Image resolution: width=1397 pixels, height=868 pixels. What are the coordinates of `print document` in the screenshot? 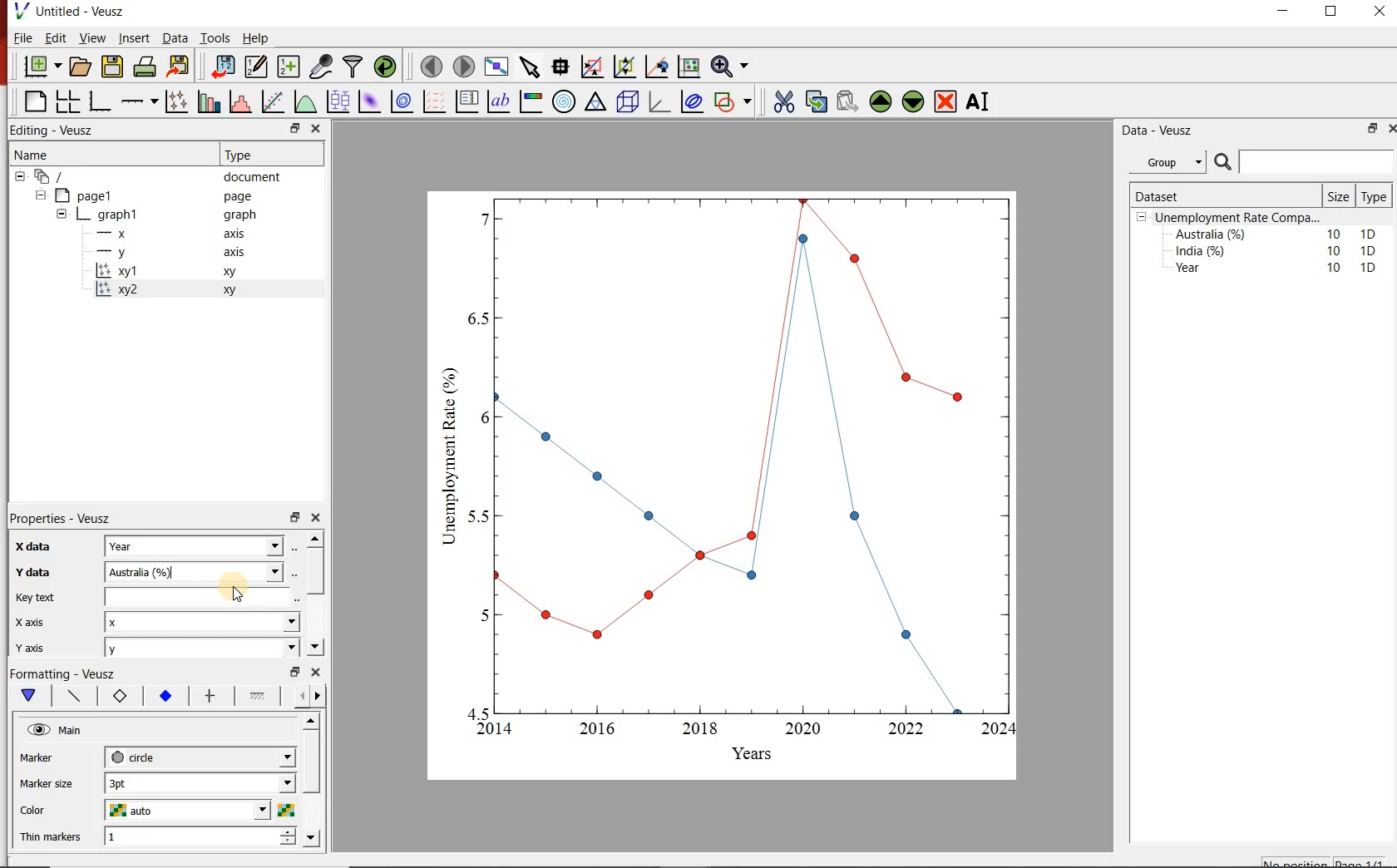 It's located at (145, 65).